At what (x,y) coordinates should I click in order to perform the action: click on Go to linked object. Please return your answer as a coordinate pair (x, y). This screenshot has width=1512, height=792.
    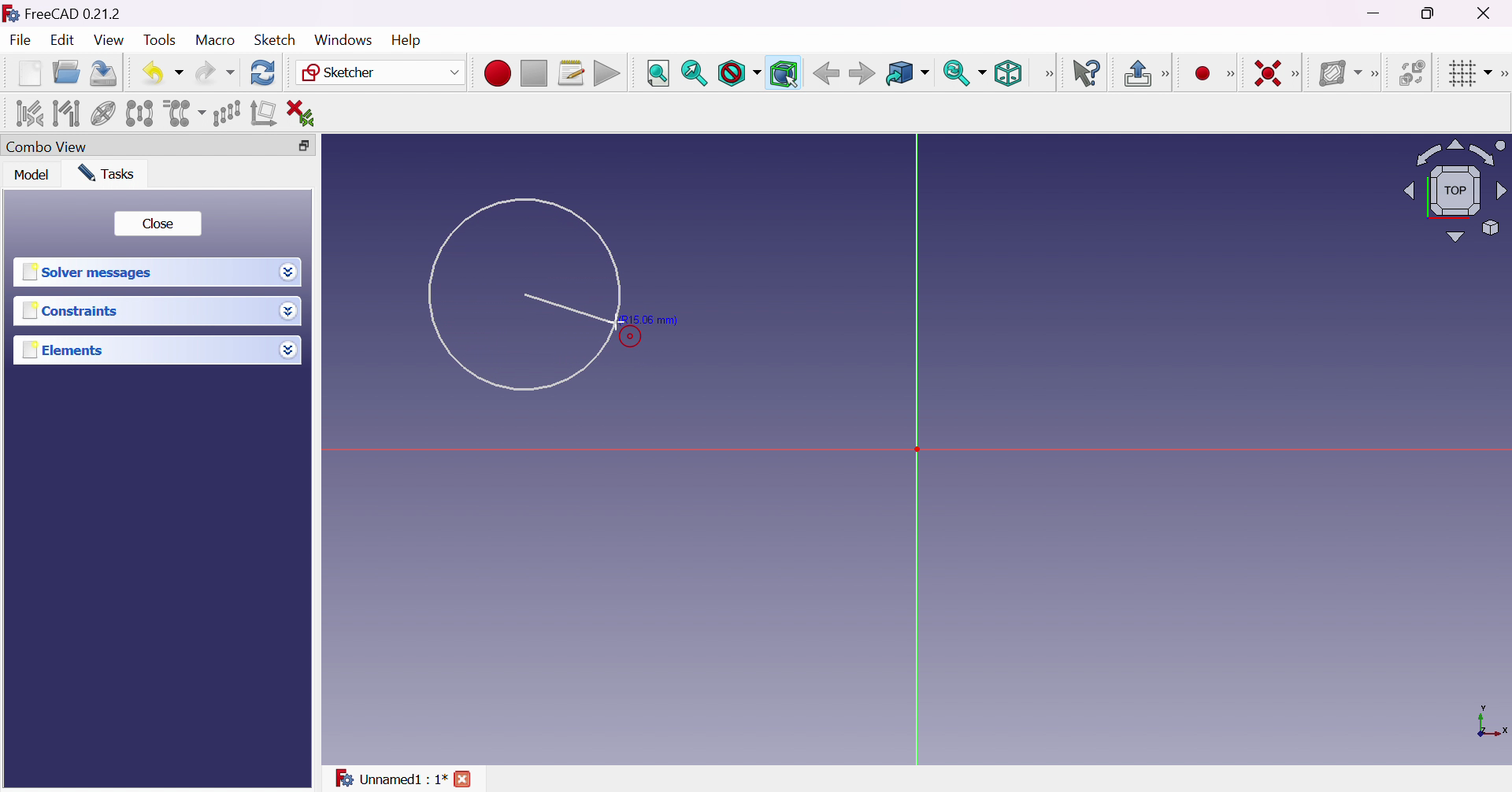
    Looking at the image, I should click on (906, 74).